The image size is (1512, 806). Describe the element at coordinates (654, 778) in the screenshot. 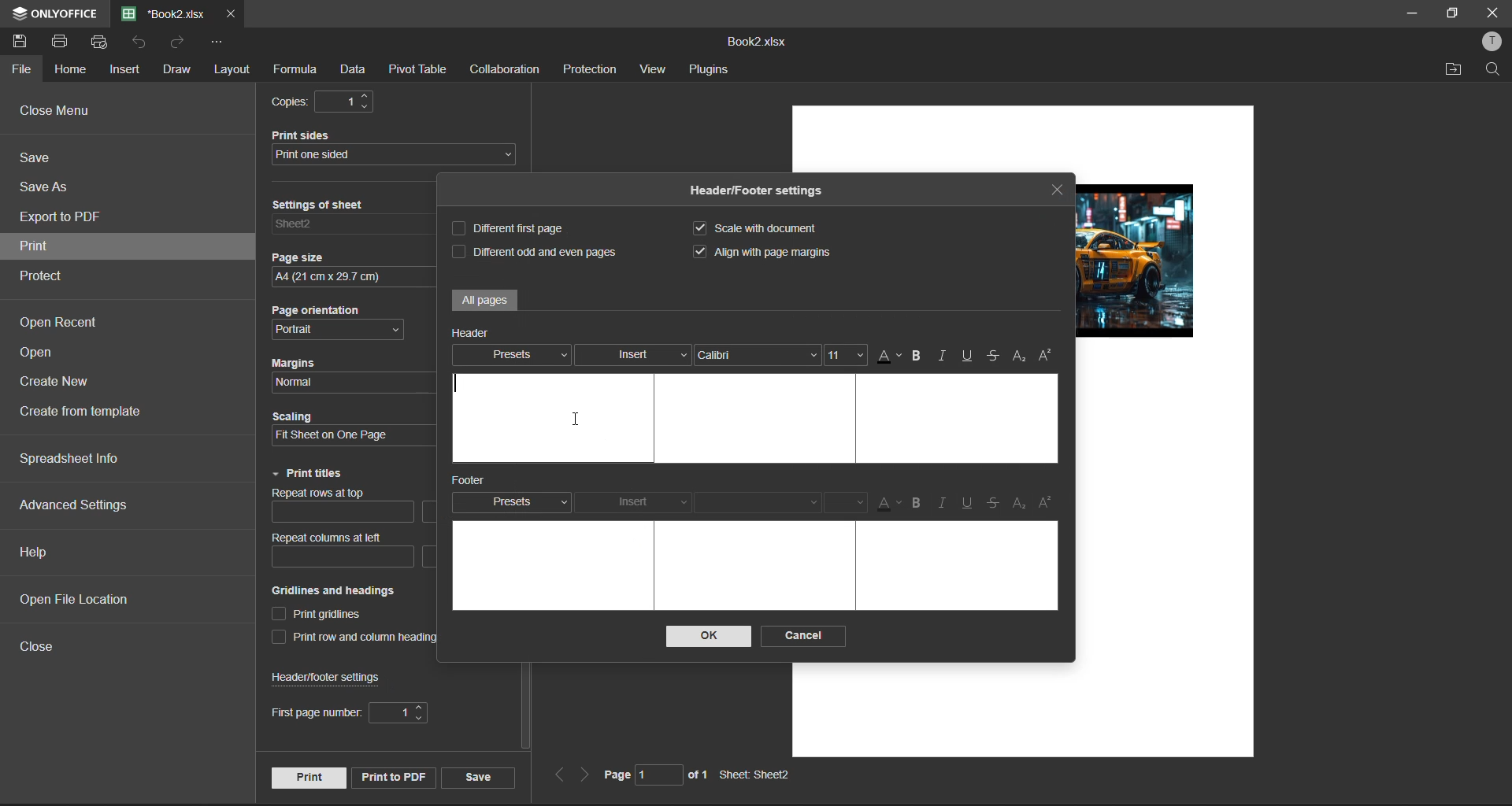

I see `page number` at that location.